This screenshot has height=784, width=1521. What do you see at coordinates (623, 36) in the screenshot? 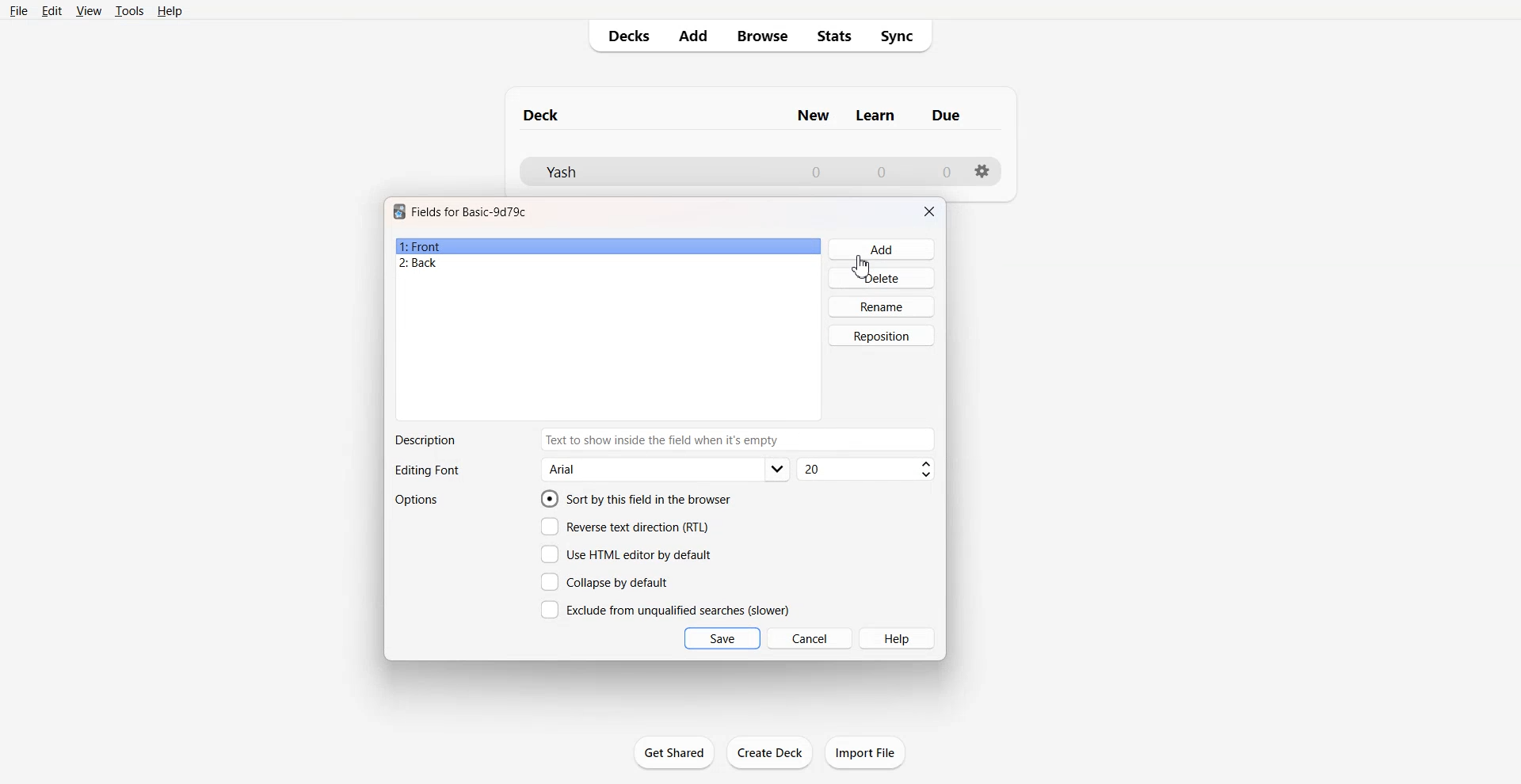
I see `Decks` at bounding box center [623, 36].